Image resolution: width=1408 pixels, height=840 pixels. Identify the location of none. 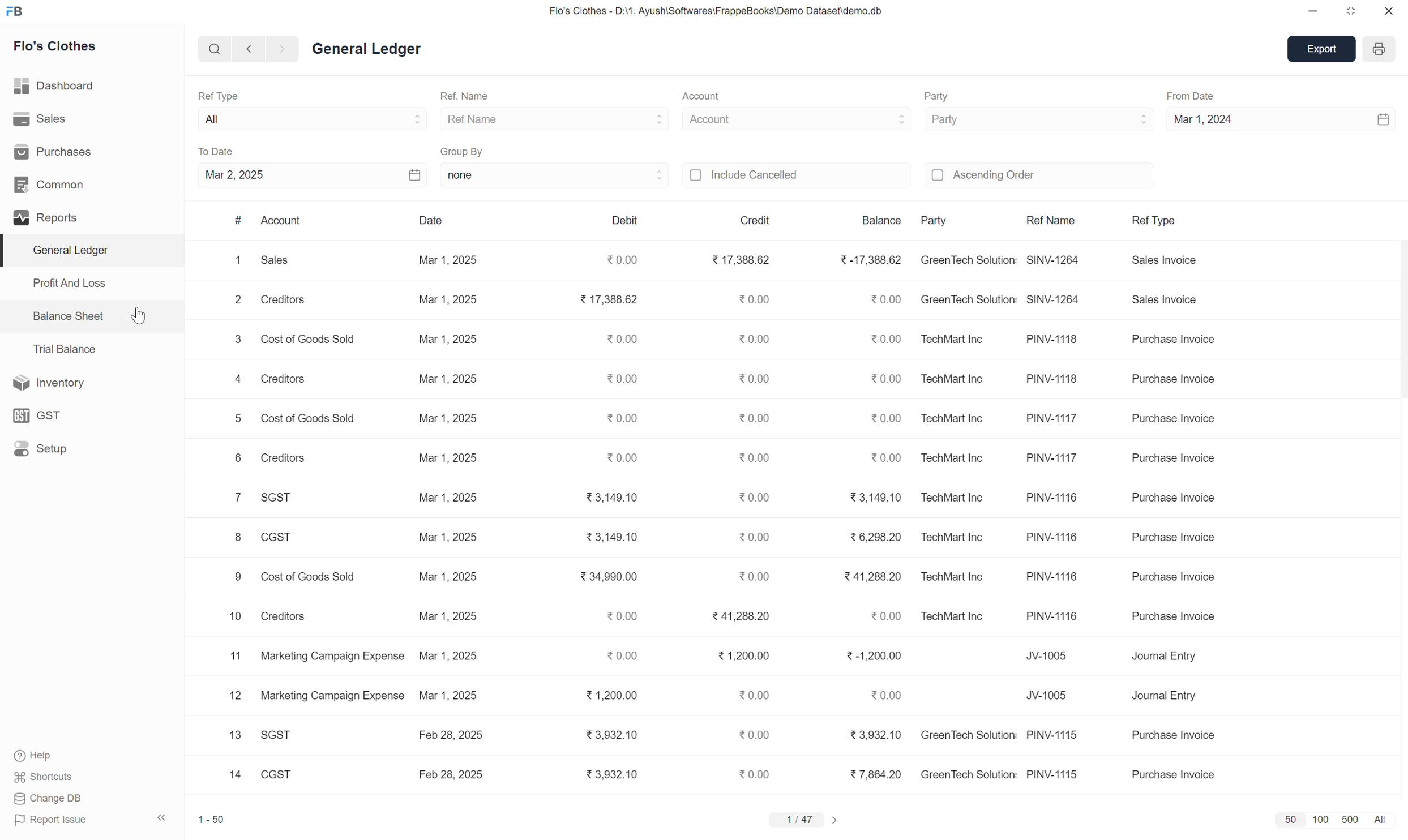
(557, 174).